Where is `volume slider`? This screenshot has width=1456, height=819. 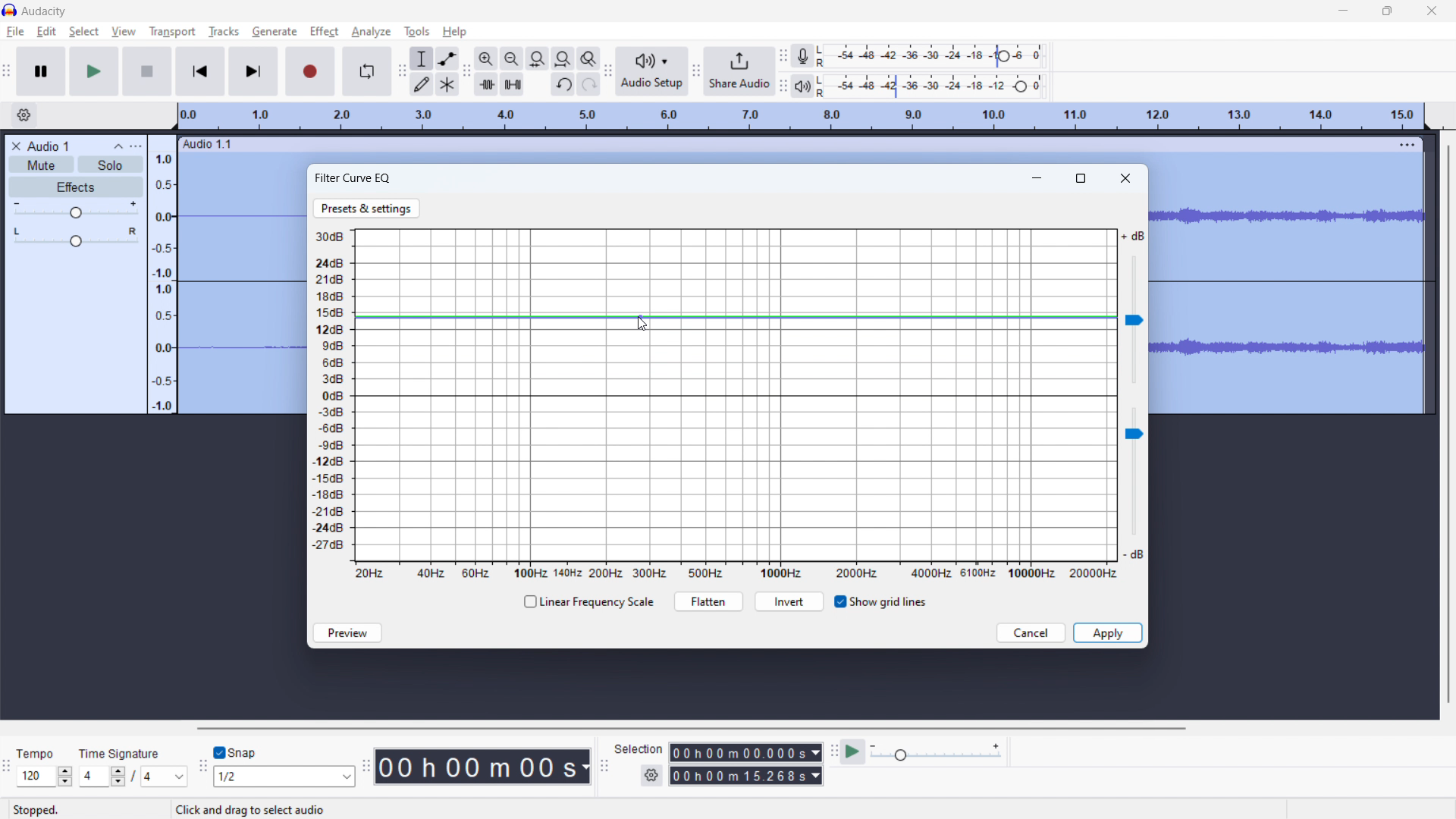
volume slider is located at coordinates (1132, 486).